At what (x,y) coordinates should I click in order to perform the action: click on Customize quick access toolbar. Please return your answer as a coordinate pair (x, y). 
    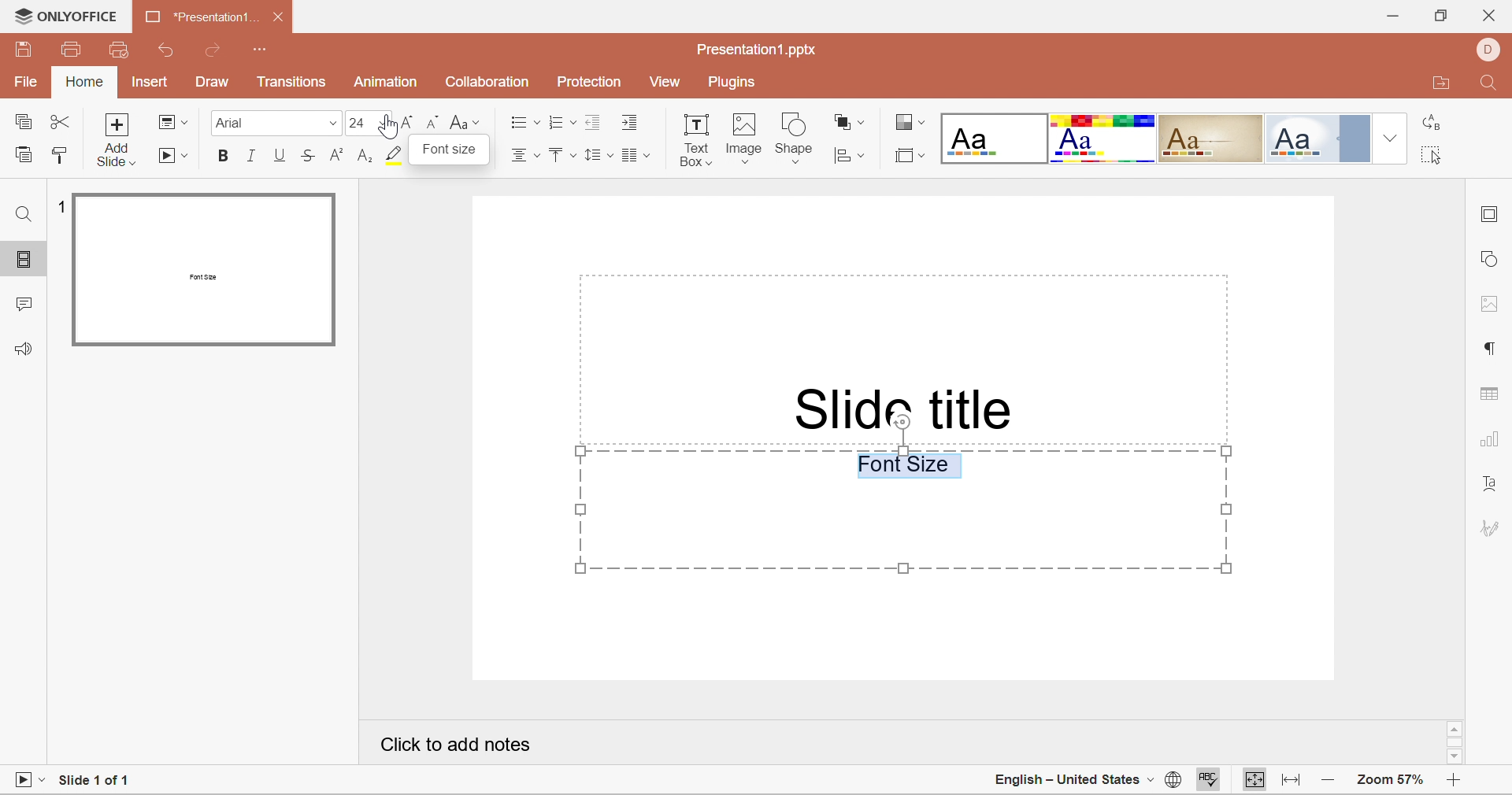
    Looking at the image, I should click on (261, 50).